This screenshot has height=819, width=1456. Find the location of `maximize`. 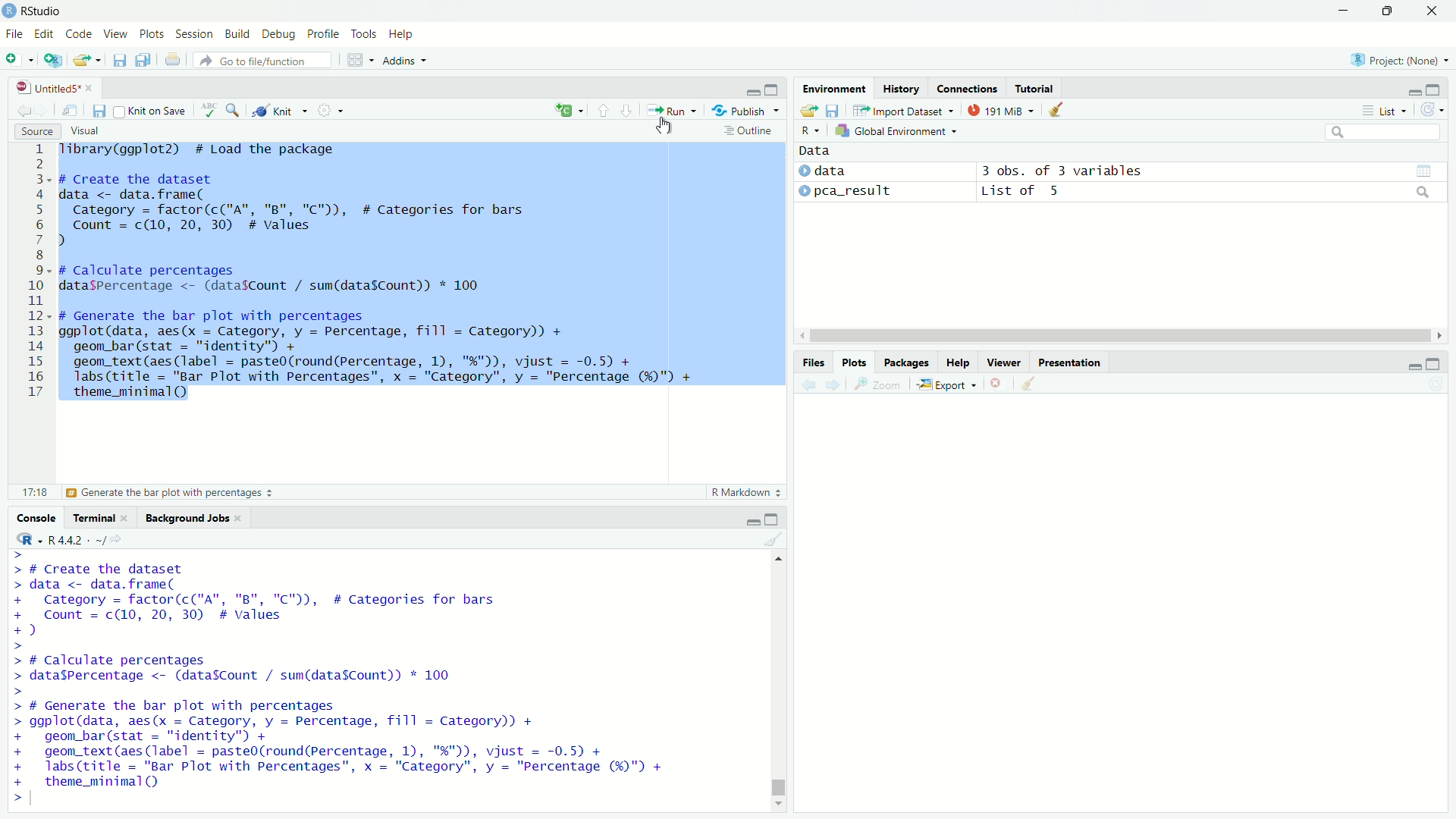

maximize is located at coordinates (1389, 12).